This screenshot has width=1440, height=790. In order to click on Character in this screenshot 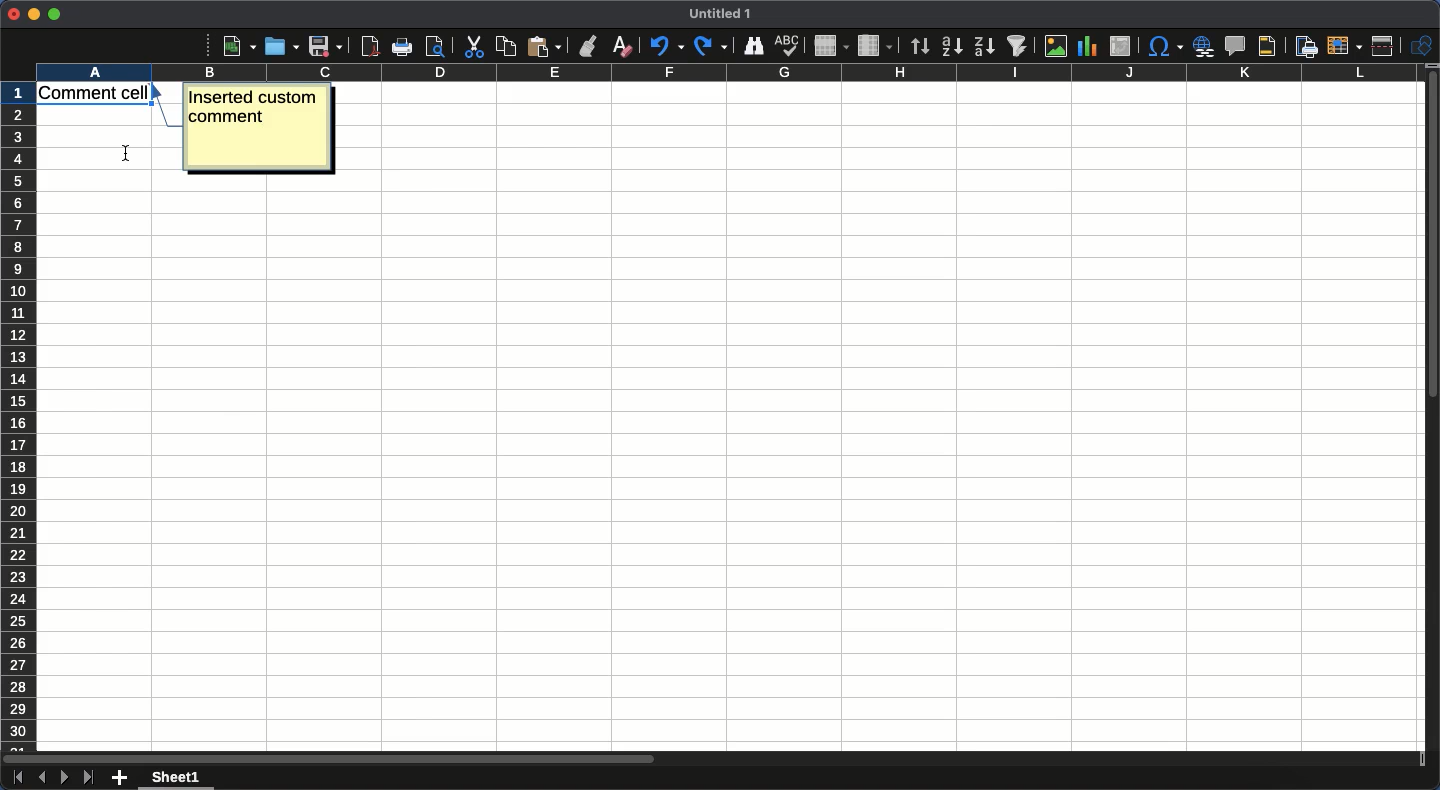, I will do `click(1165, 48)`.